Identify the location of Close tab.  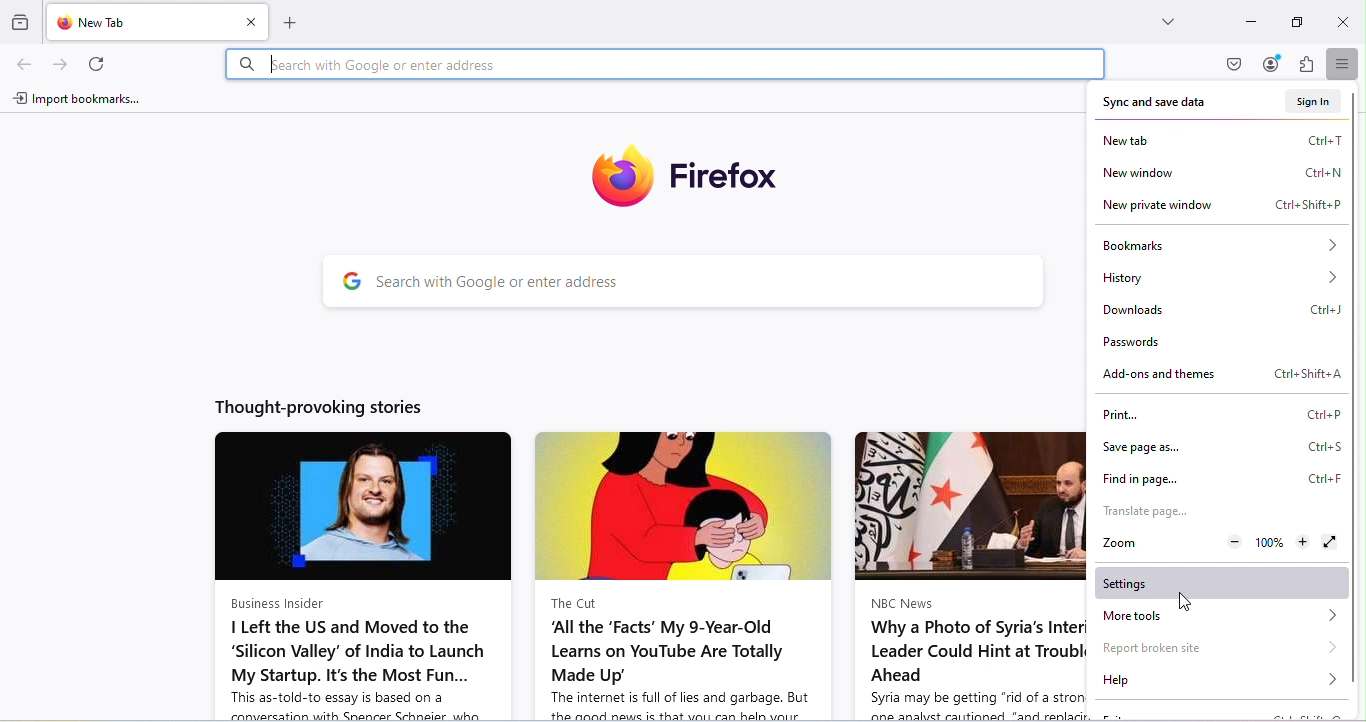
(254, 23).